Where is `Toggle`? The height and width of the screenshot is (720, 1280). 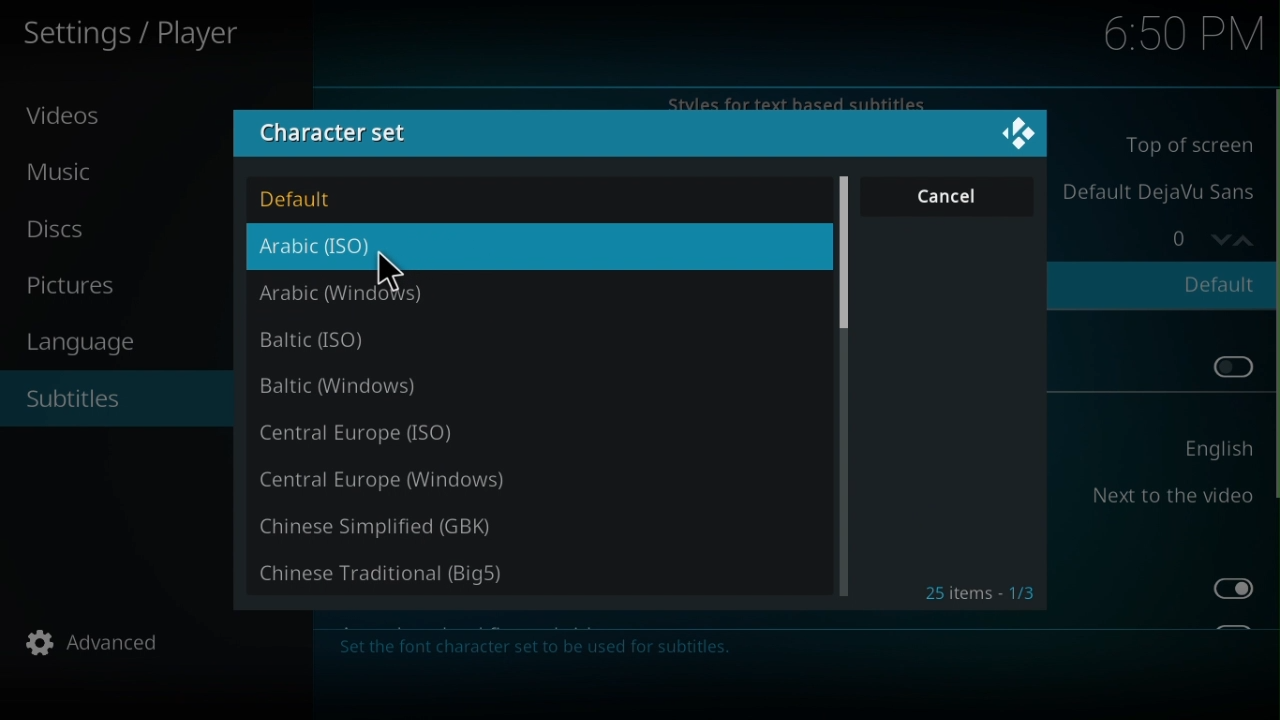 Toggle is located at coordinates (1227, 365).